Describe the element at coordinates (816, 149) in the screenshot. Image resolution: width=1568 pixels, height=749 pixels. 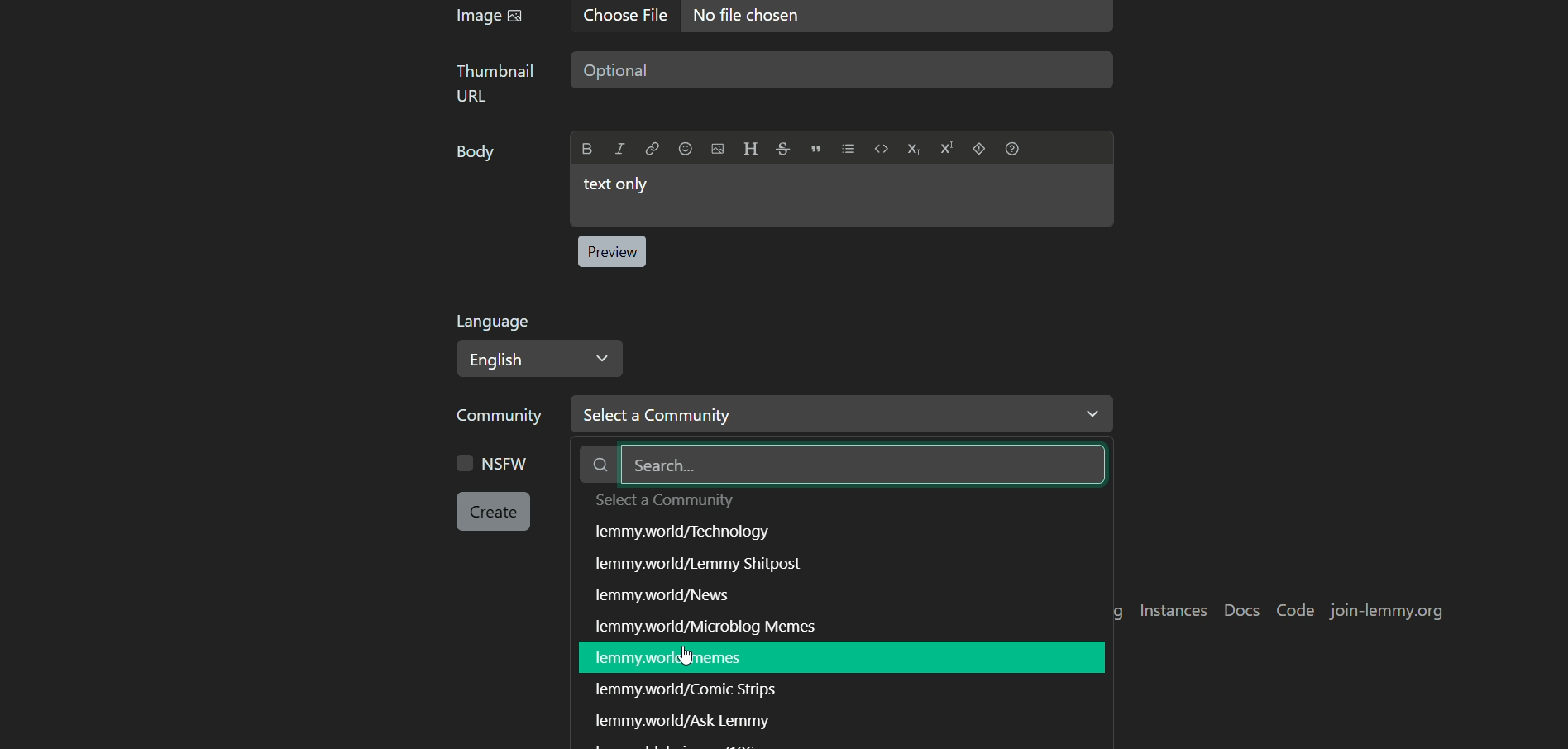
I see `Quote` at that location.